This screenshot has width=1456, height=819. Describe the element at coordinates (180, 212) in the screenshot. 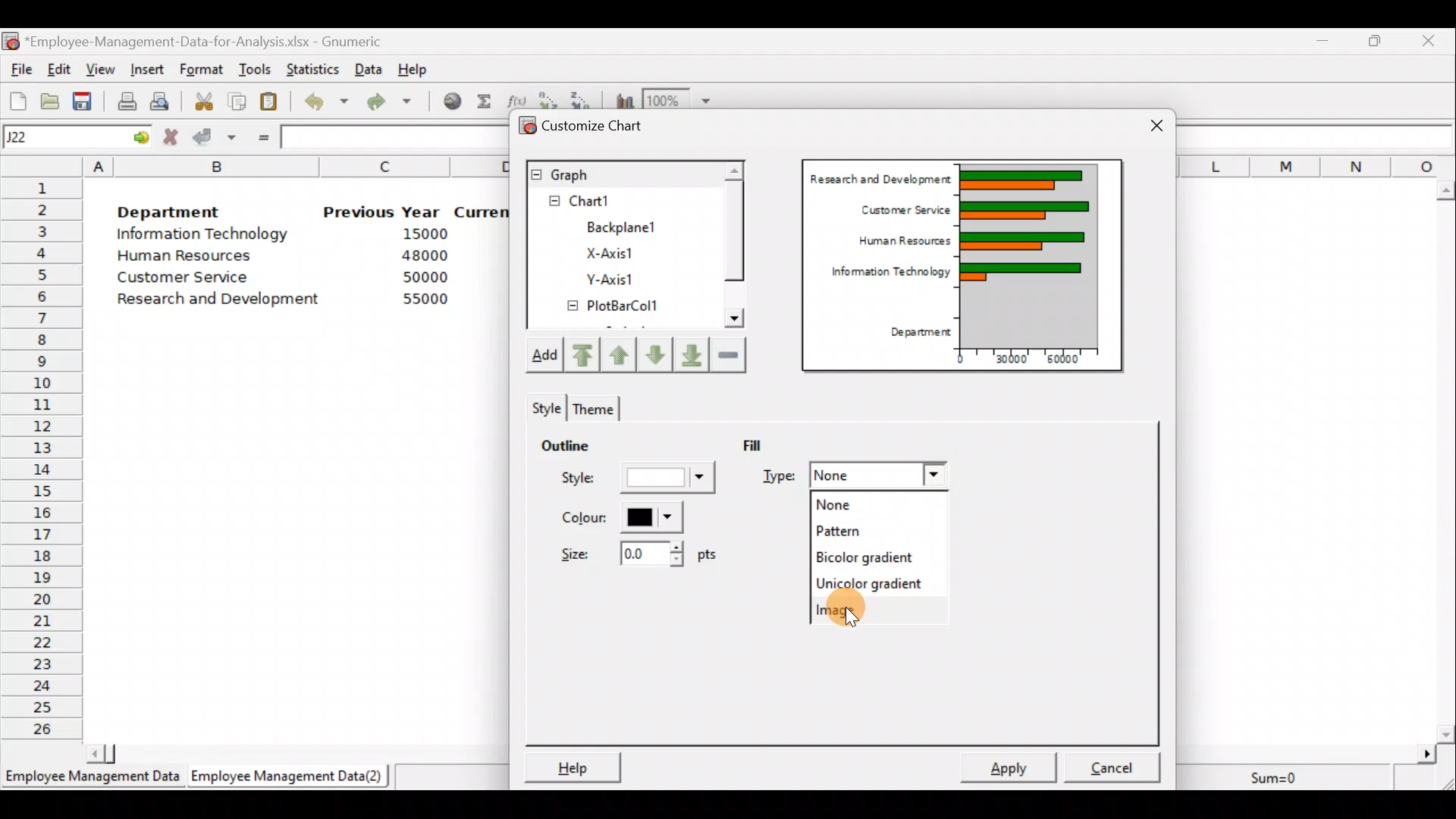

I see `Department` at that location.